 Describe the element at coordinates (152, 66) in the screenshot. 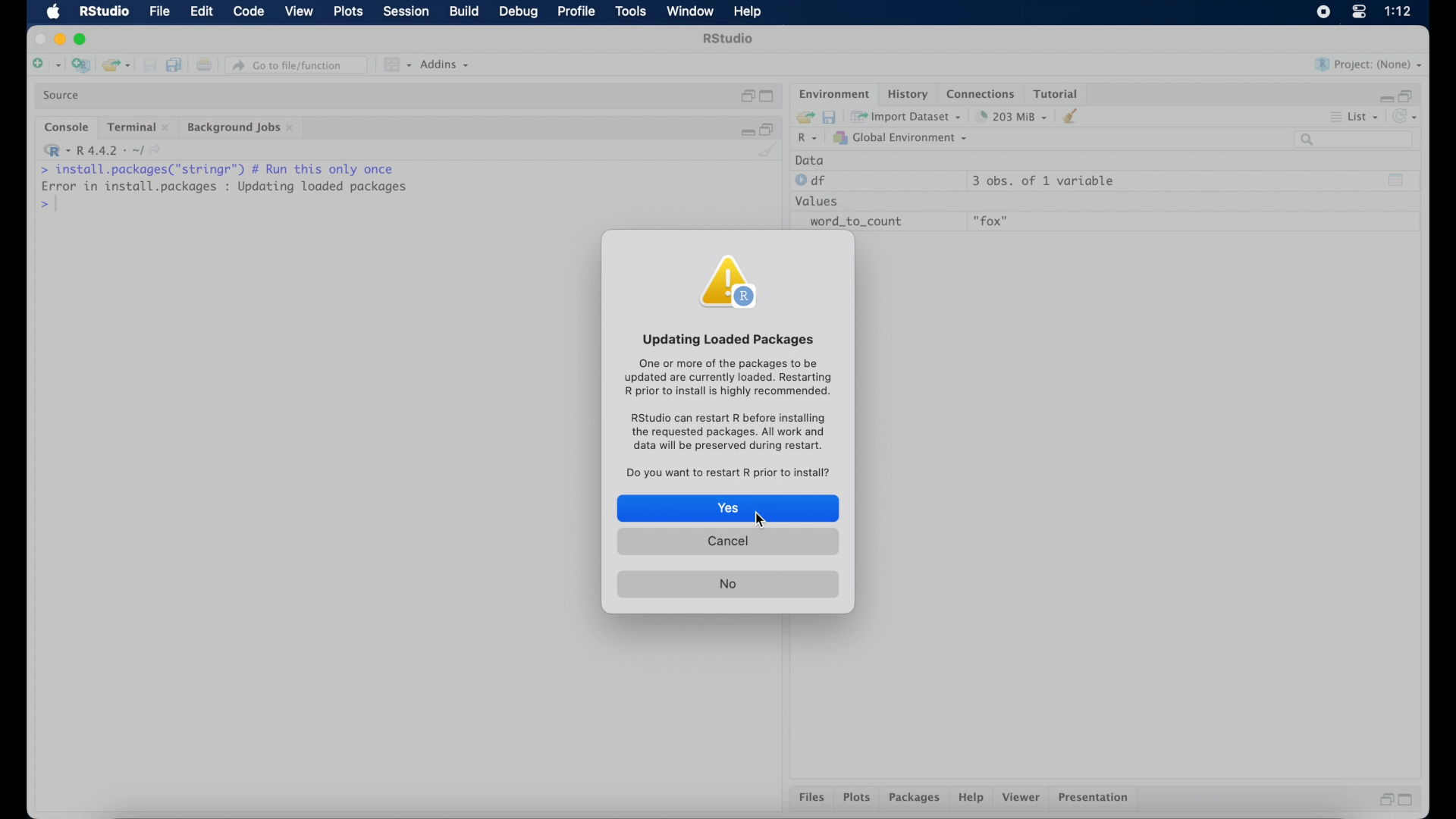

I see `save` at that location.